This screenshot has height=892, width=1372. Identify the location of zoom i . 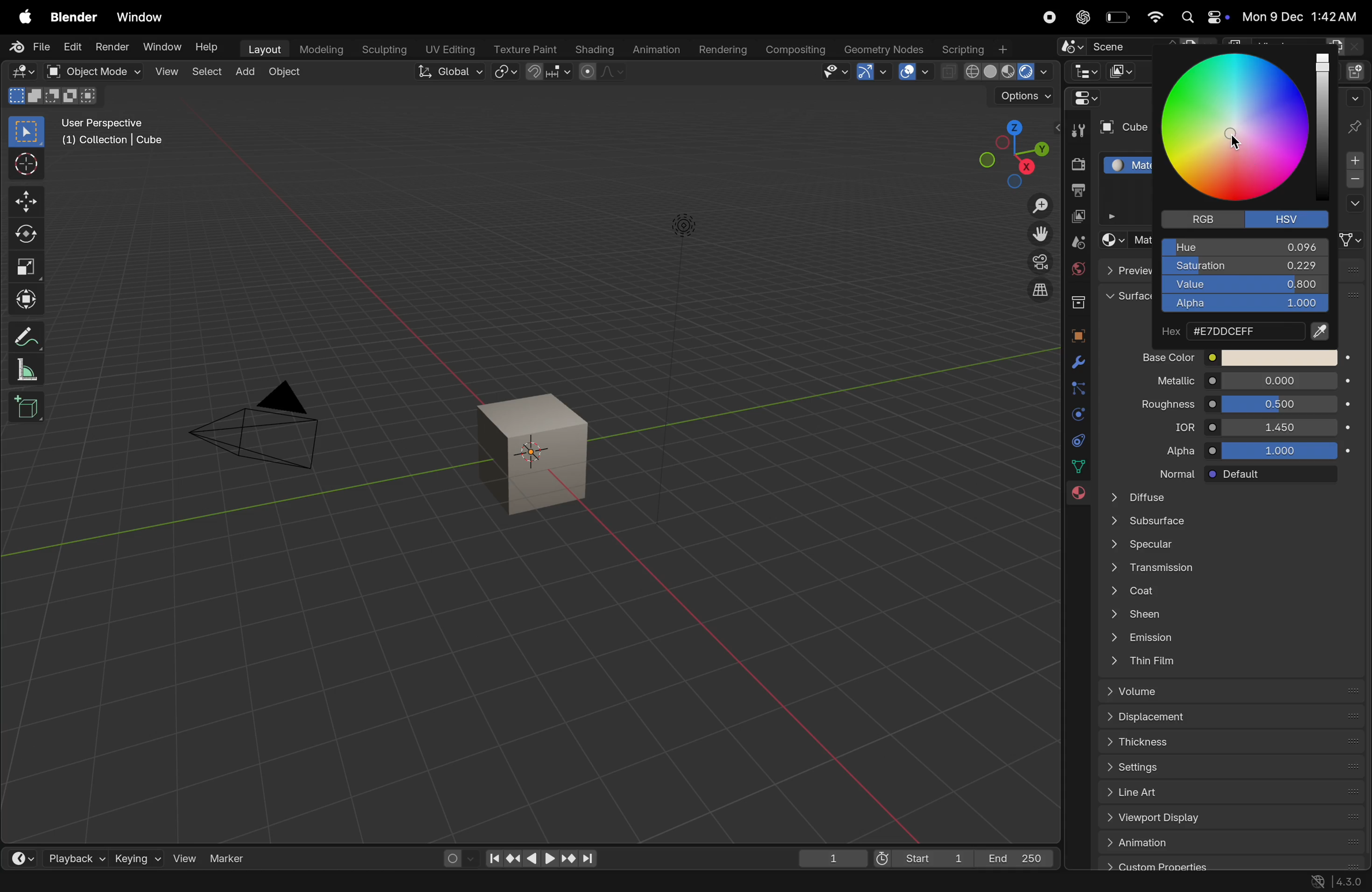
(1041, 202).